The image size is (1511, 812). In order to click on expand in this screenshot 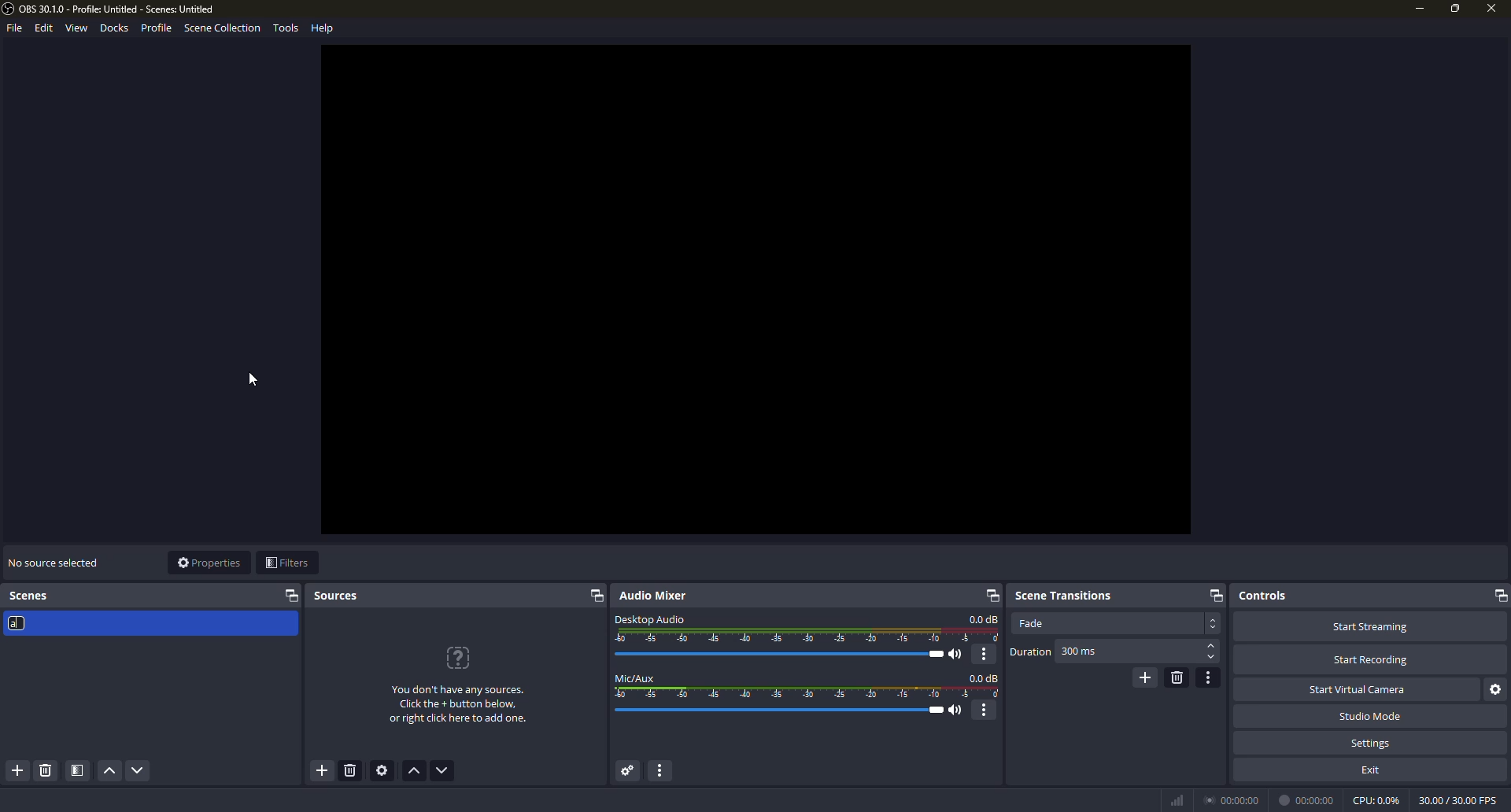, I will do `click(989, 595)`.